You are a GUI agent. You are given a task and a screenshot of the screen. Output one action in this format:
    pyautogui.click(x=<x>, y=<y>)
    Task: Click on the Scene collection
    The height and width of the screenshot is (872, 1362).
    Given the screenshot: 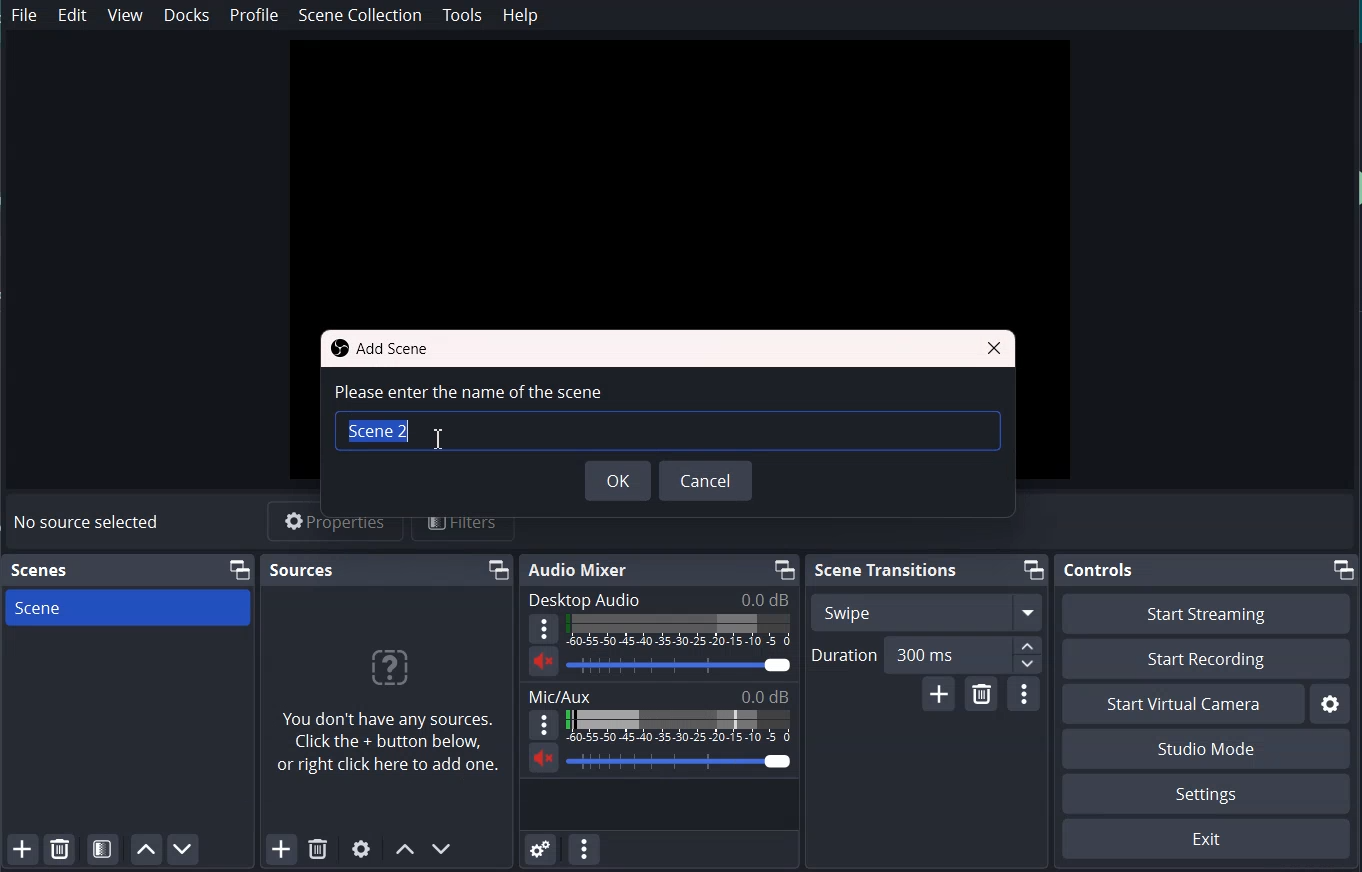 What is the action you would take?
    pyautogui.click(x=360, y=15)
    